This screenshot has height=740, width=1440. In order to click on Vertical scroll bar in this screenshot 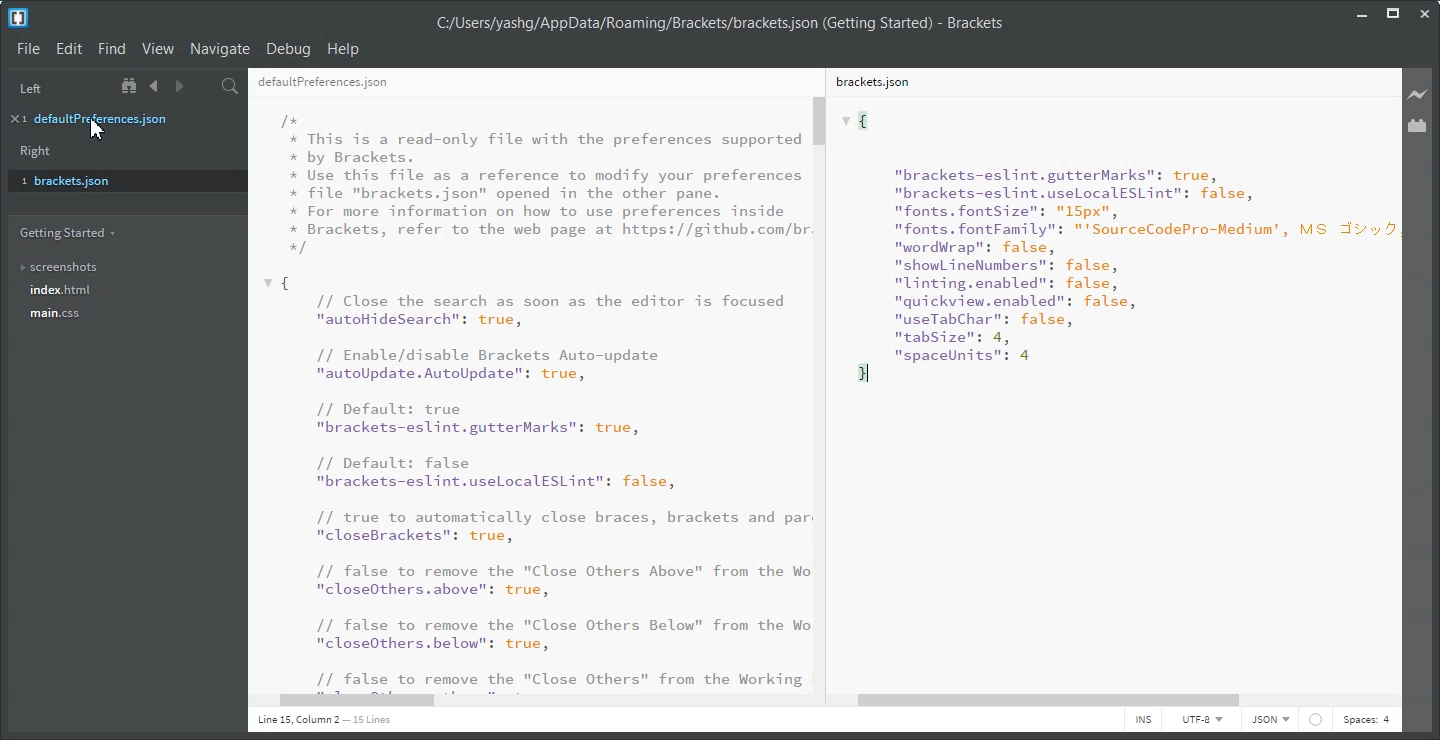, I will do `click(1395, 378)`.